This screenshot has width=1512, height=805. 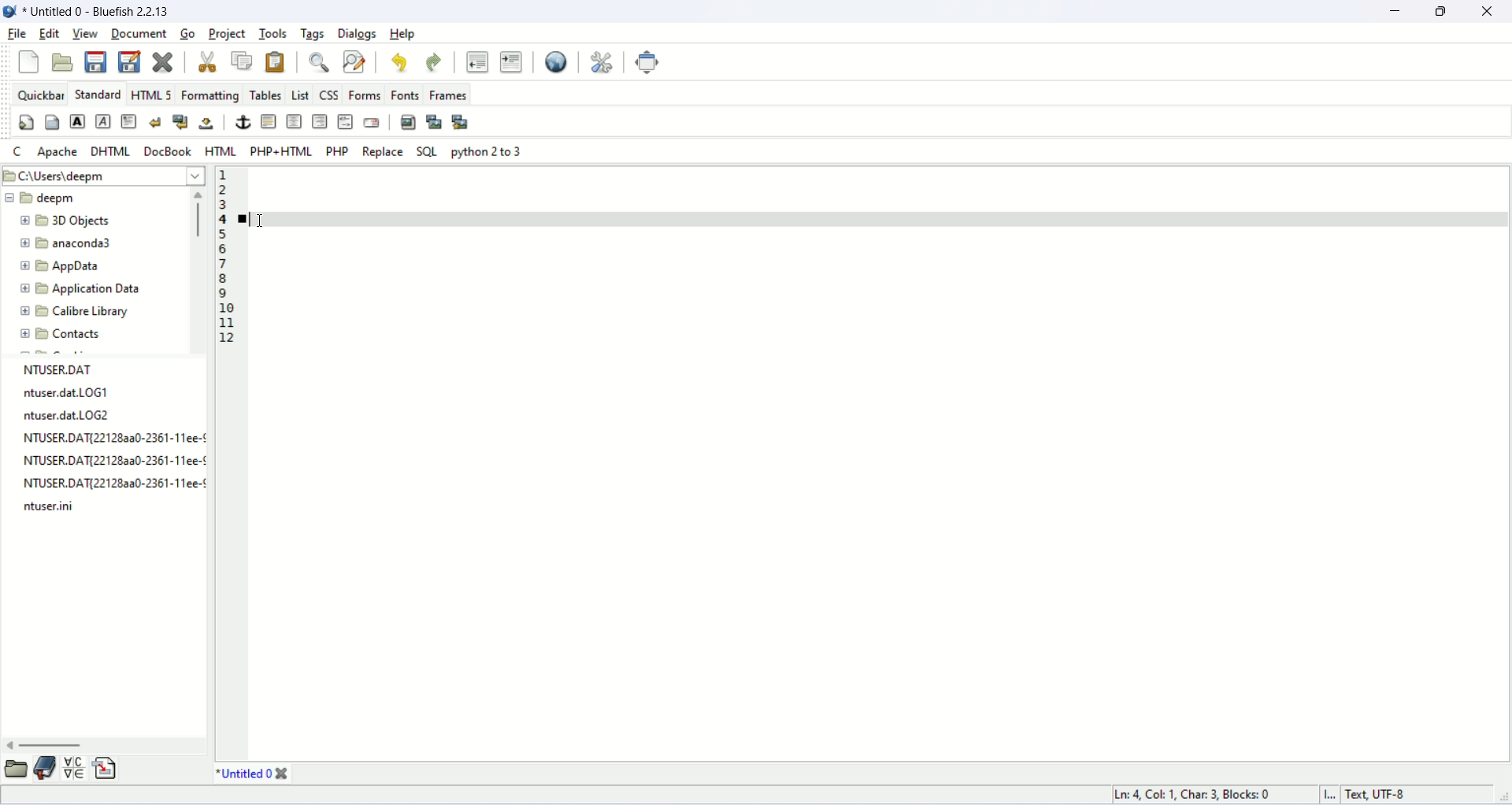 I want to click on help, so click(x=403, y=33).